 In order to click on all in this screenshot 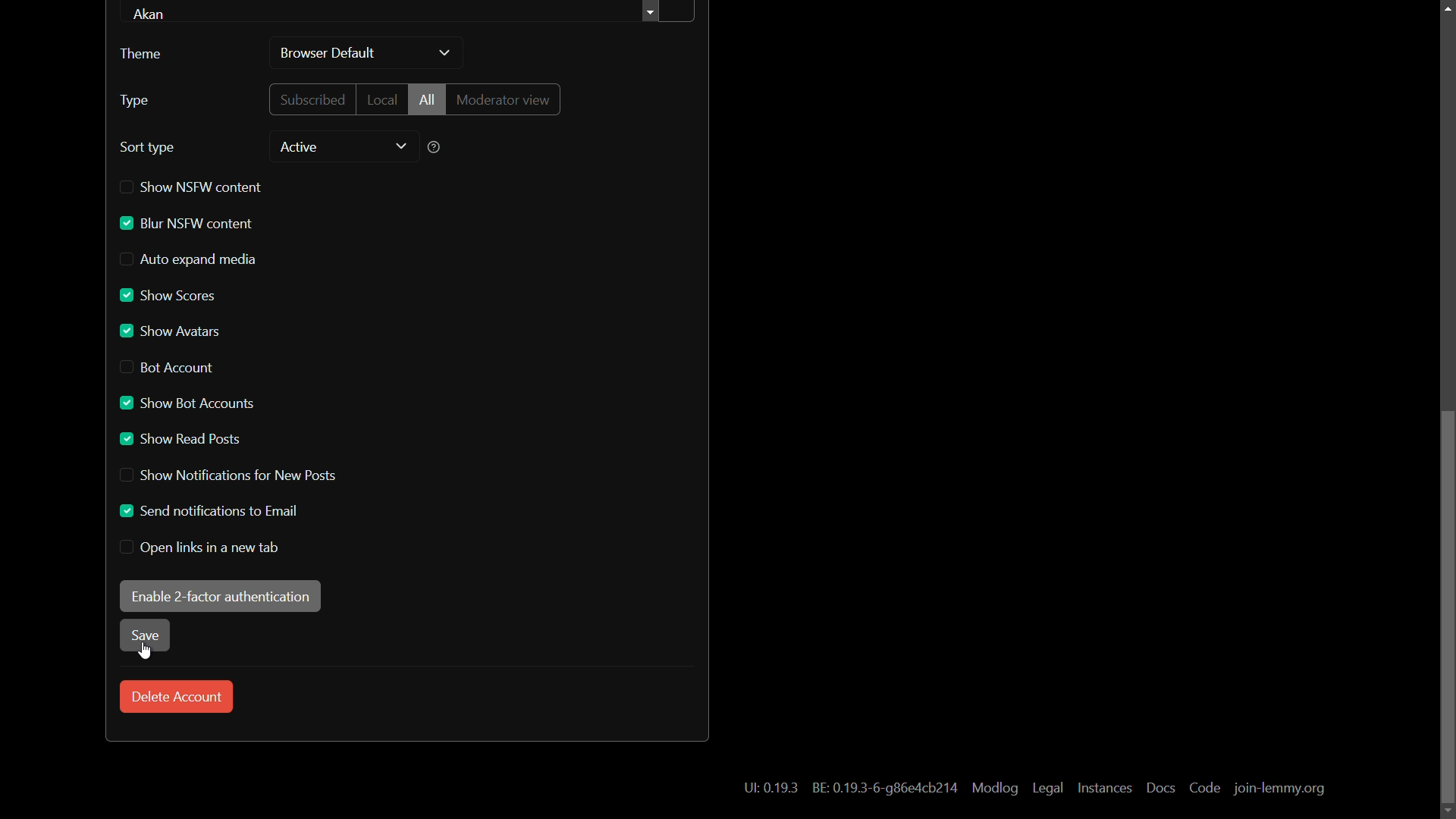, I will do `click(427, 99)`.